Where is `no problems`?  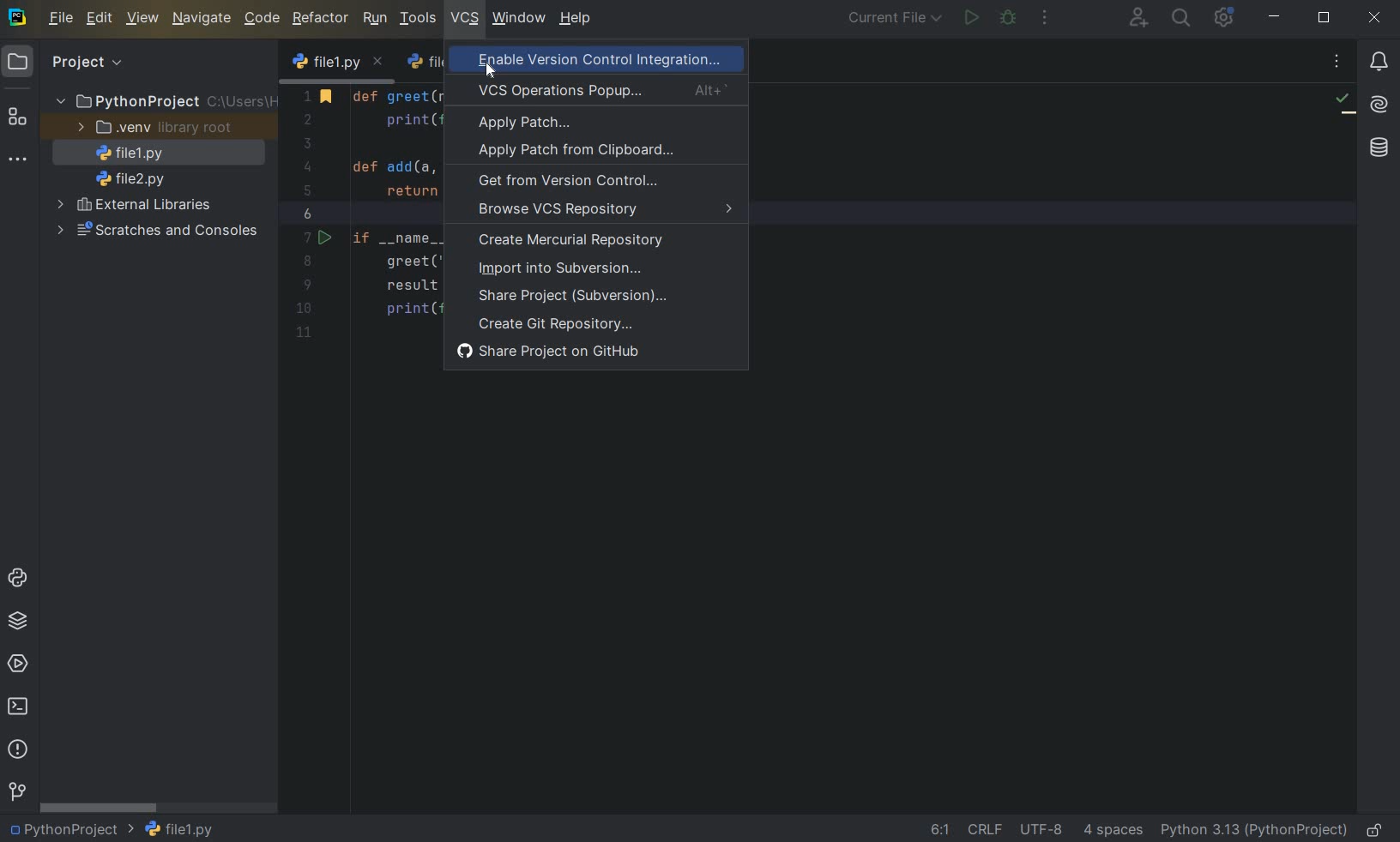 no problems is located at coordinates (1344, 103).